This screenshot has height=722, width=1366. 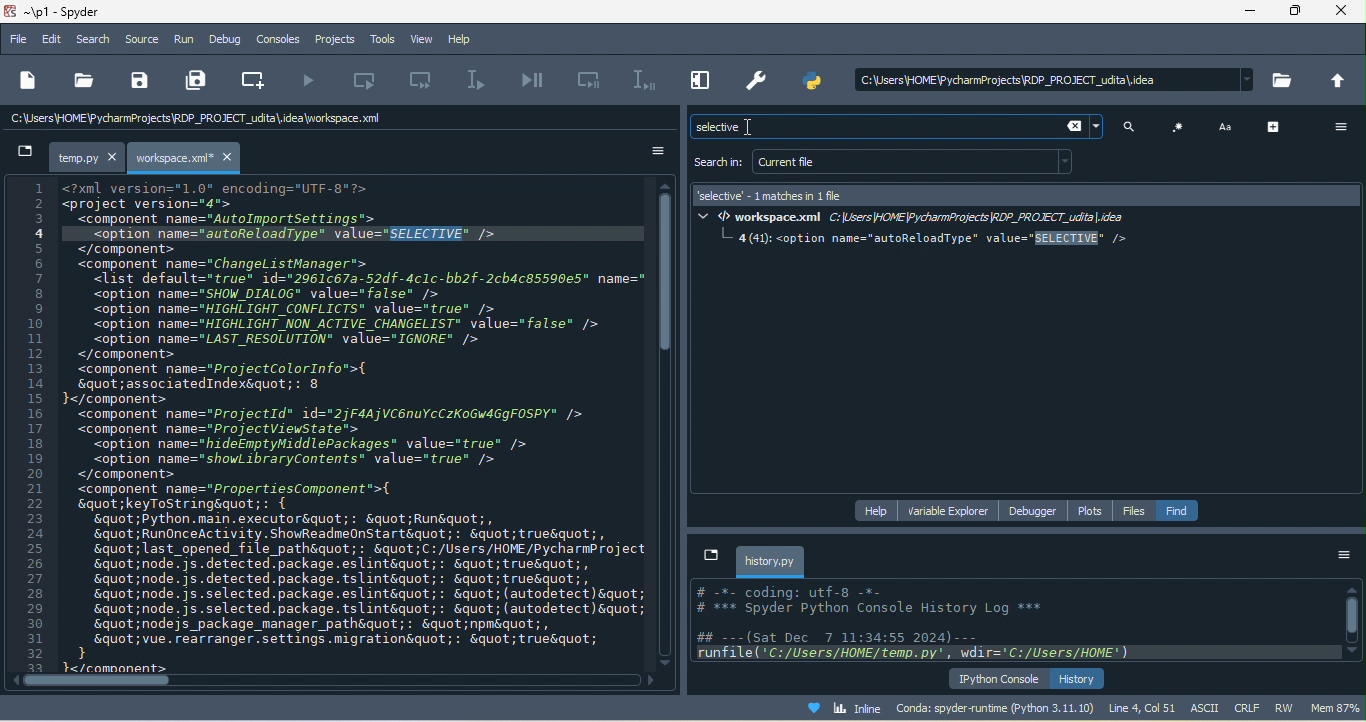 I want to click on pythonpath manager, so click(x=812, y=83).